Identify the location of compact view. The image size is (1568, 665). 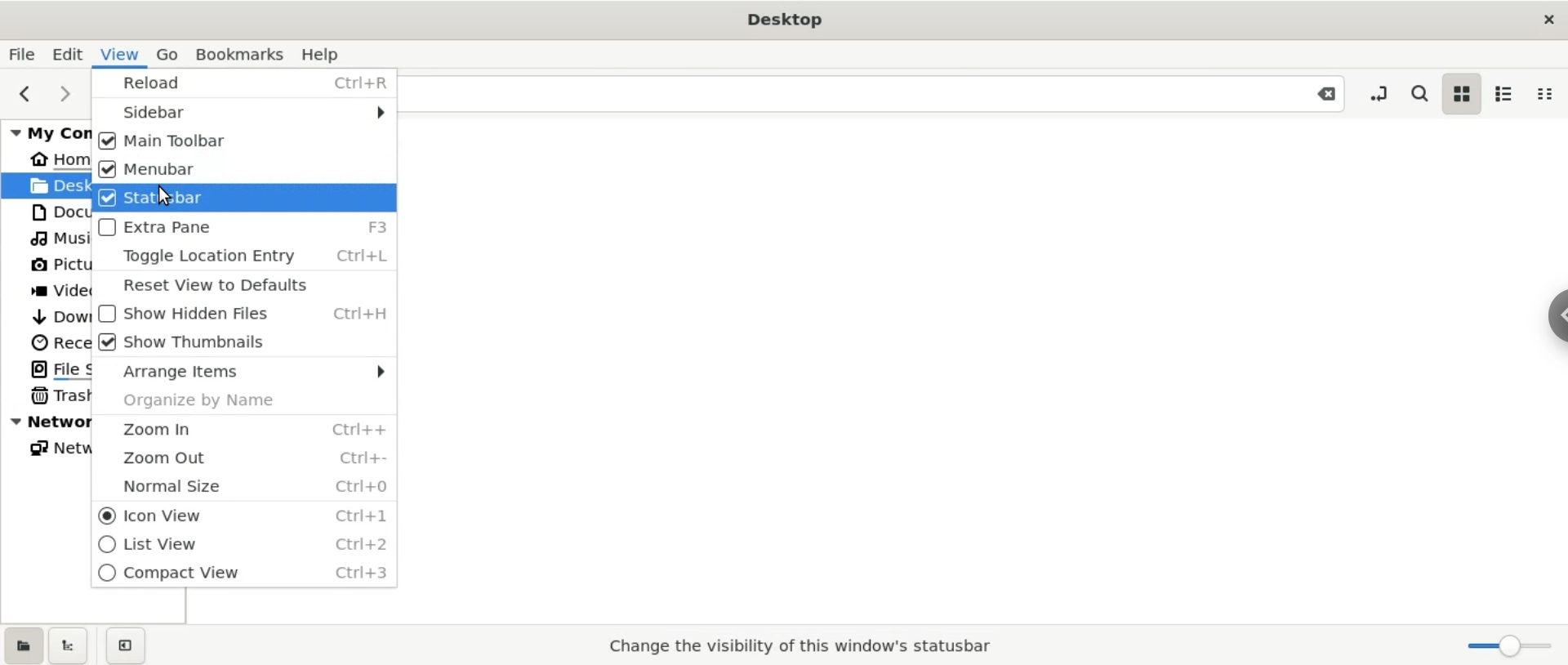
(1545, 94).